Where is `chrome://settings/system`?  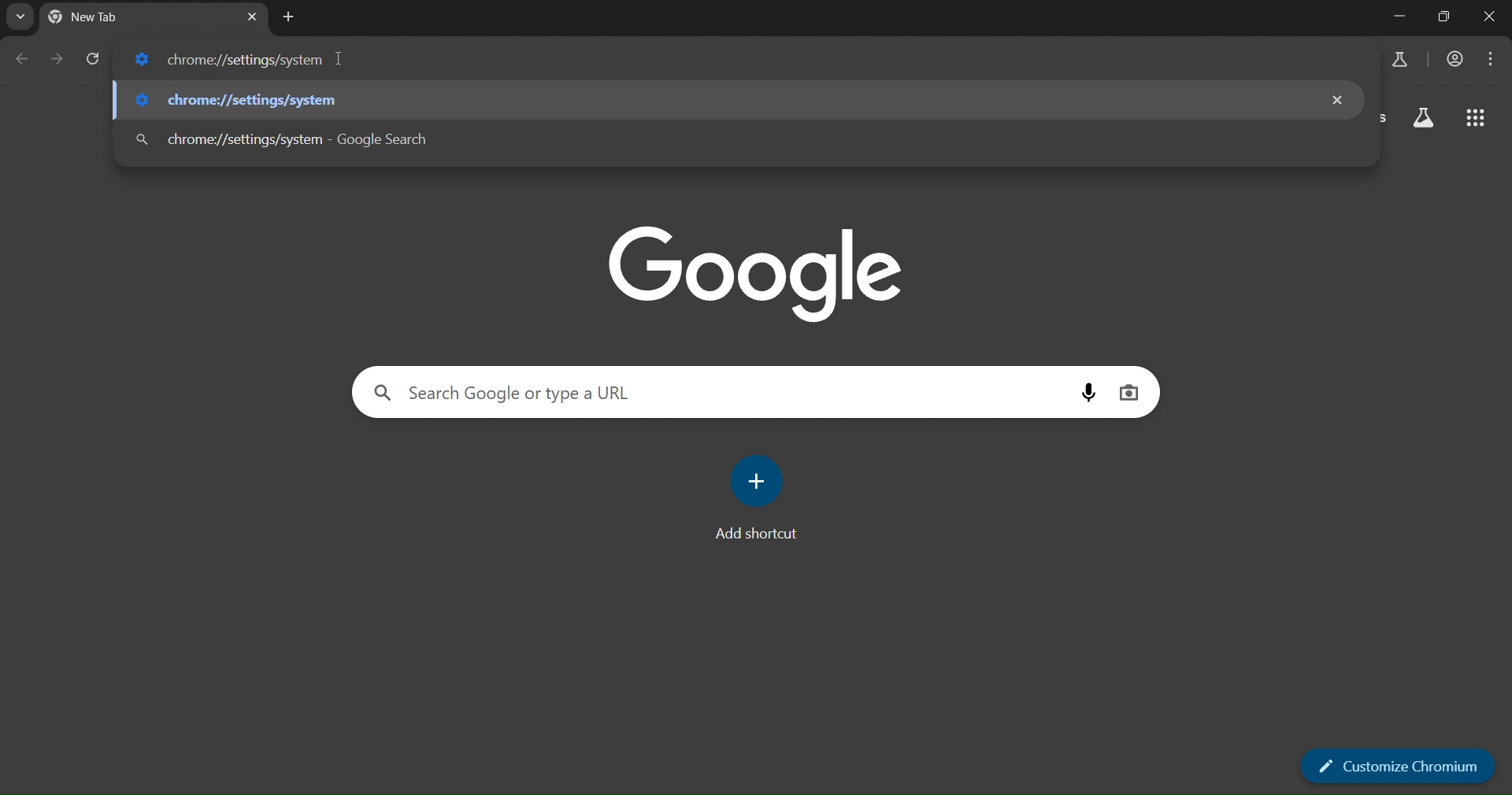
chrome://settings/system is located at coordinates (228, 60).